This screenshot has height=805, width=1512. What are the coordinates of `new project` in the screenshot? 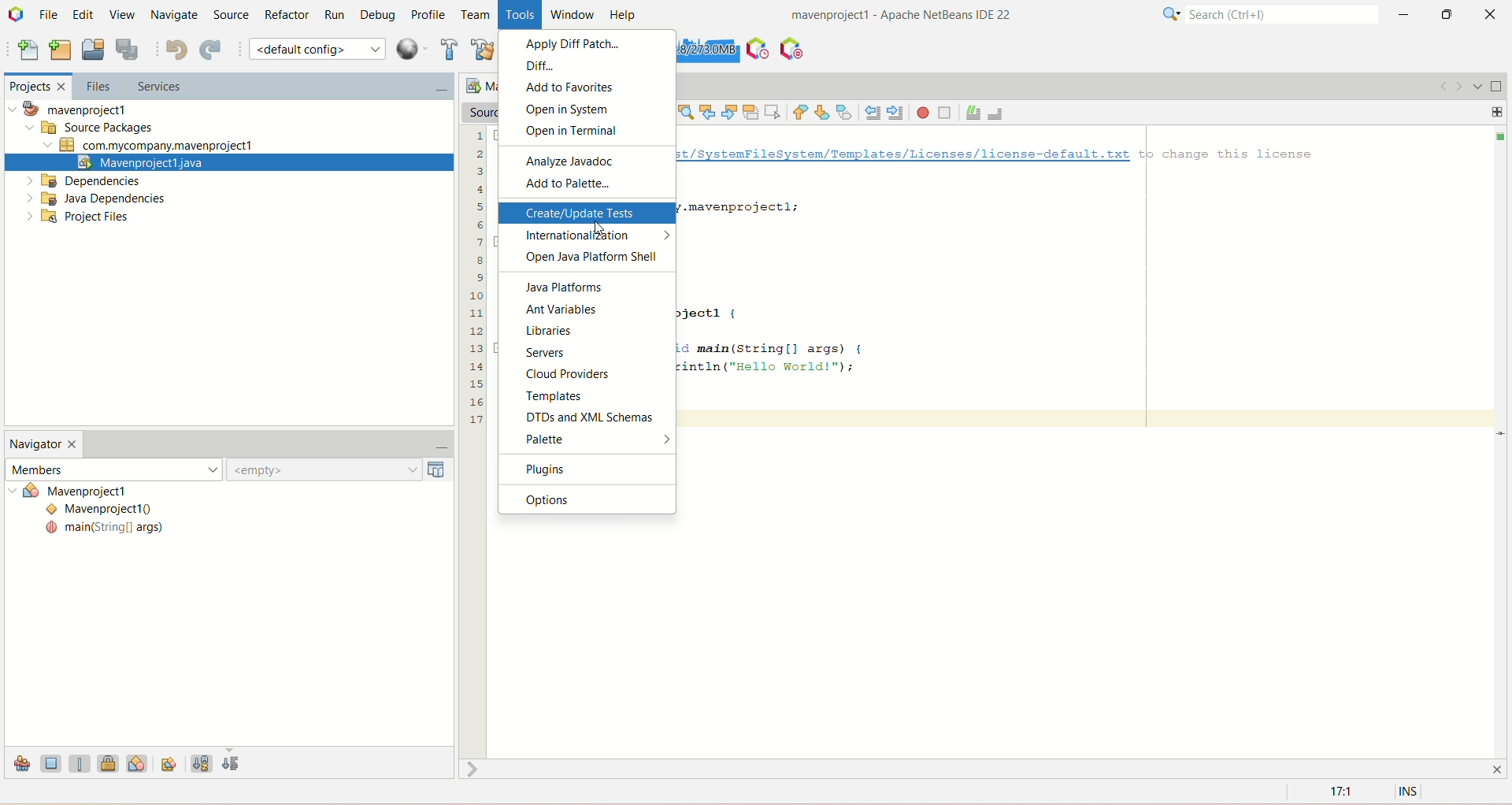 It's located at (60, 48).